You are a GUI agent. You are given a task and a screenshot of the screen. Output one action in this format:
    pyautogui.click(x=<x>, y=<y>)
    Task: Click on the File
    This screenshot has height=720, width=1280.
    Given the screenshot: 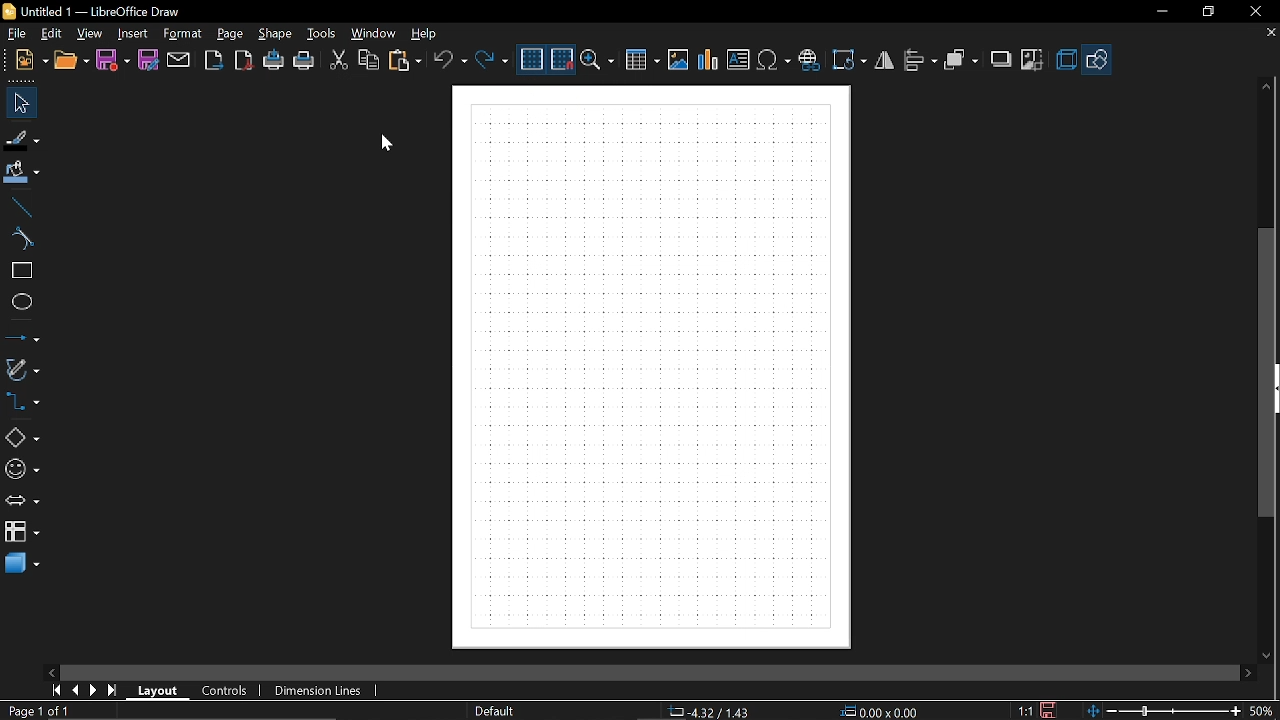 What is the action you would take?
    pyautogui.click(x=18, y=35)
    